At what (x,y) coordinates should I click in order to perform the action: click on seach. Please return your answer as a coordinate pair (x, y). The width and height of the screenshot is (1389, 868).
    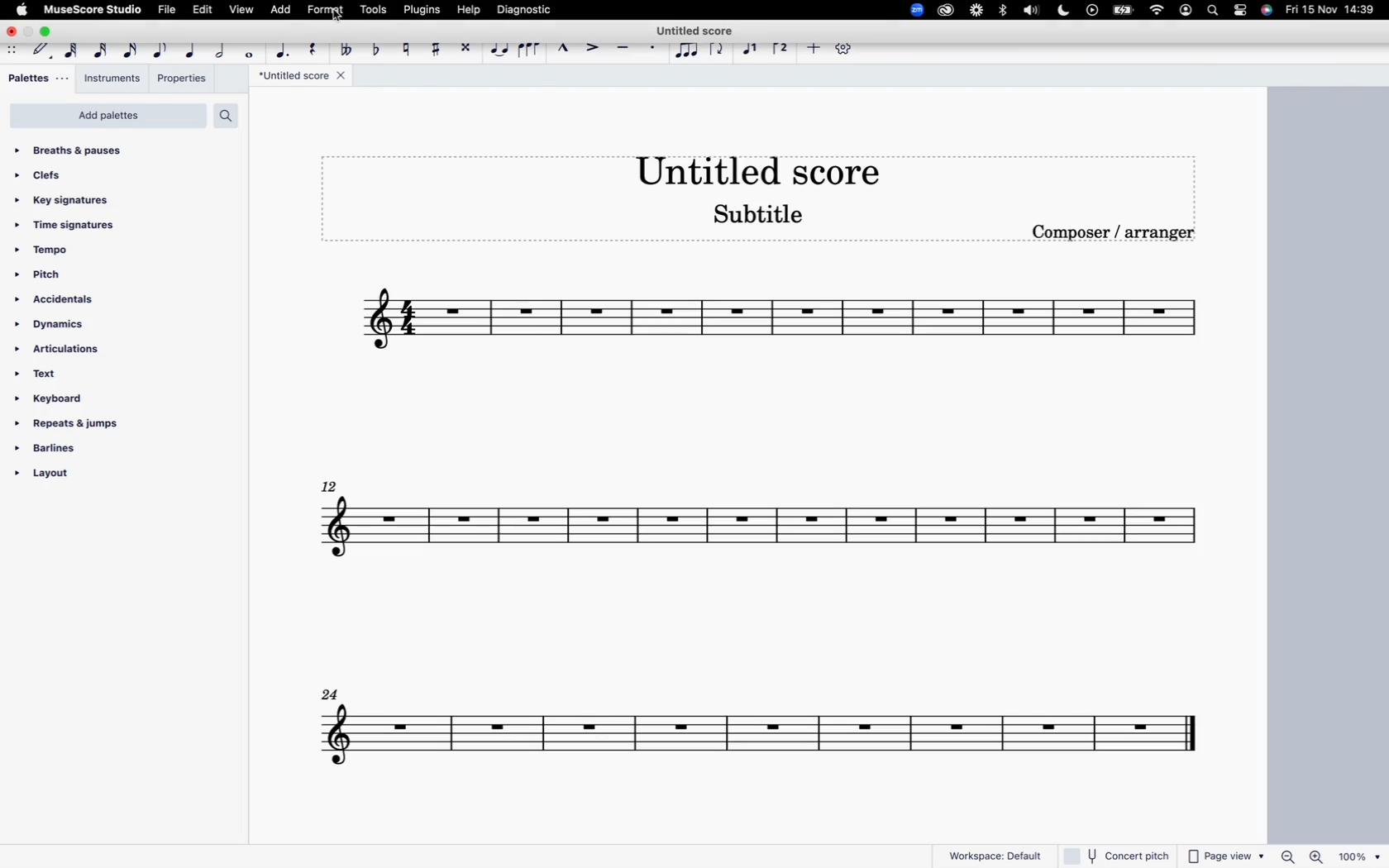
    Looking at the image, I should click on (1211, 11).